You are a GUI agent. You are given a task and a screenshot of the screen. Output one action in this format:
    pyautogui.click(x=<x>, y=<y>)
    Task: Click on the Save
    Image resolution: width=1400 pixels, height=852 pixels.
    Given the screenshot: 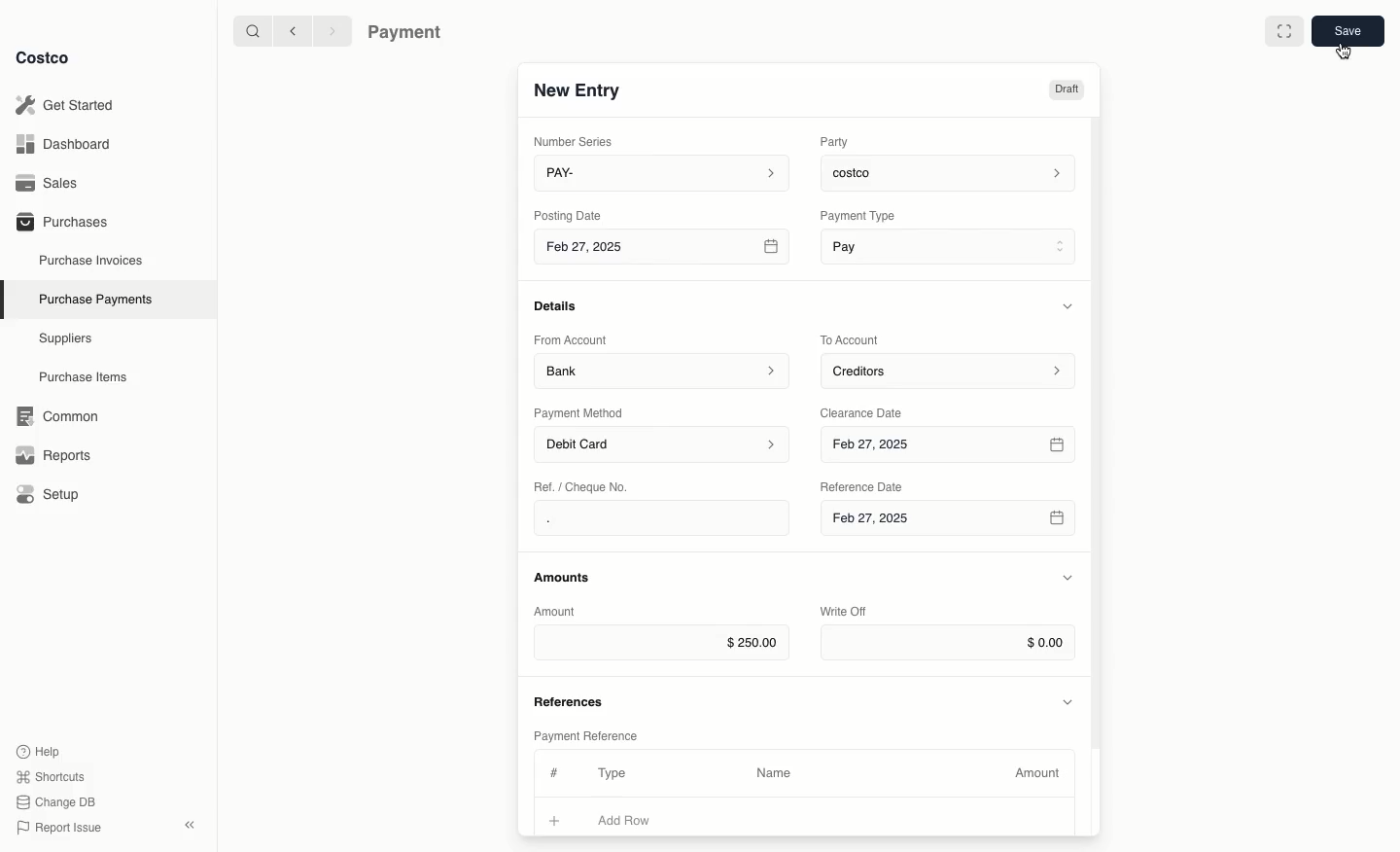 What is the action you would take?
    pyautogui.click(x=1347, y=30)
    